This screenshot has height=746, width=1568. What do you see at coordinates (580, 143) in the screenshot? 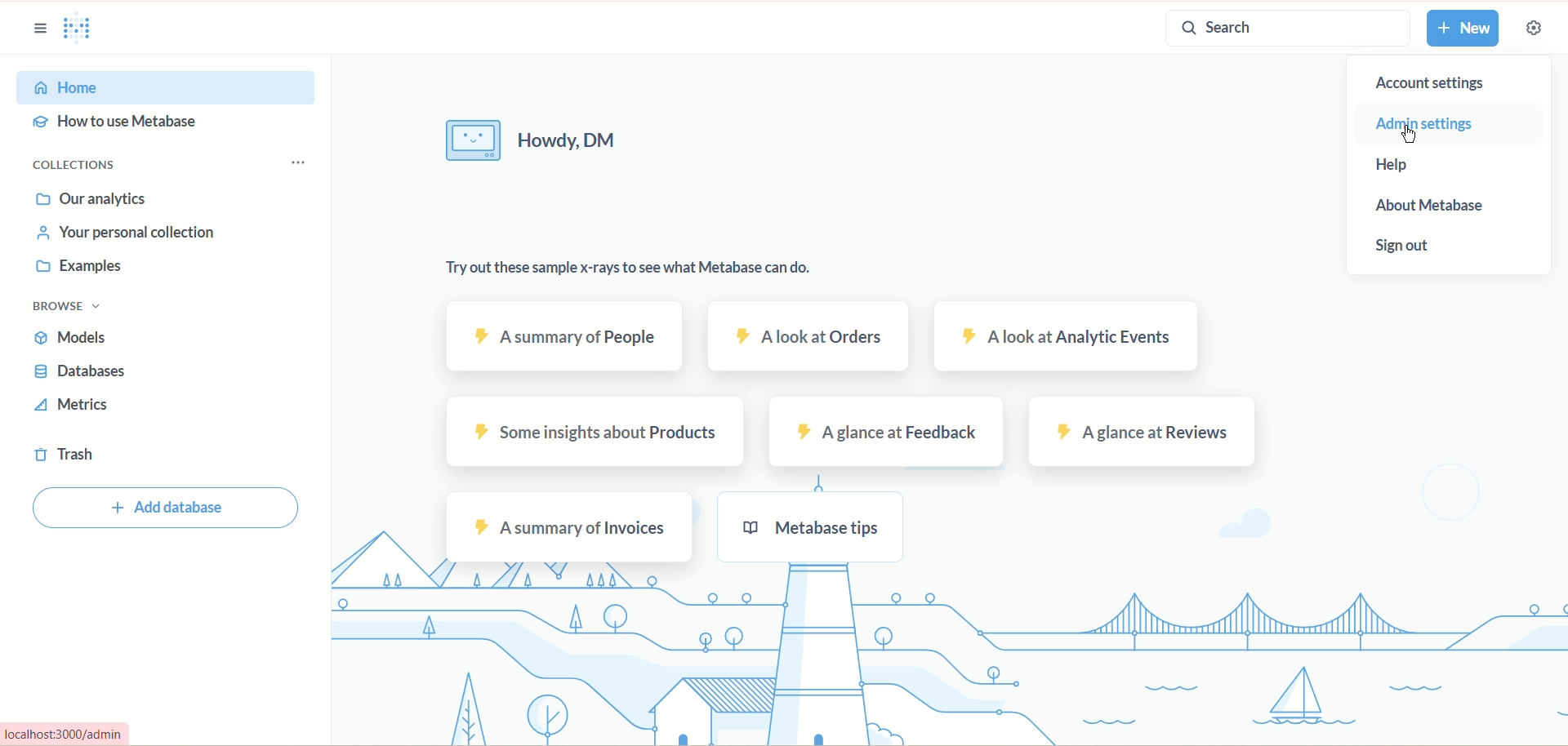
I see `howdy` at bounding box center [580, 143].